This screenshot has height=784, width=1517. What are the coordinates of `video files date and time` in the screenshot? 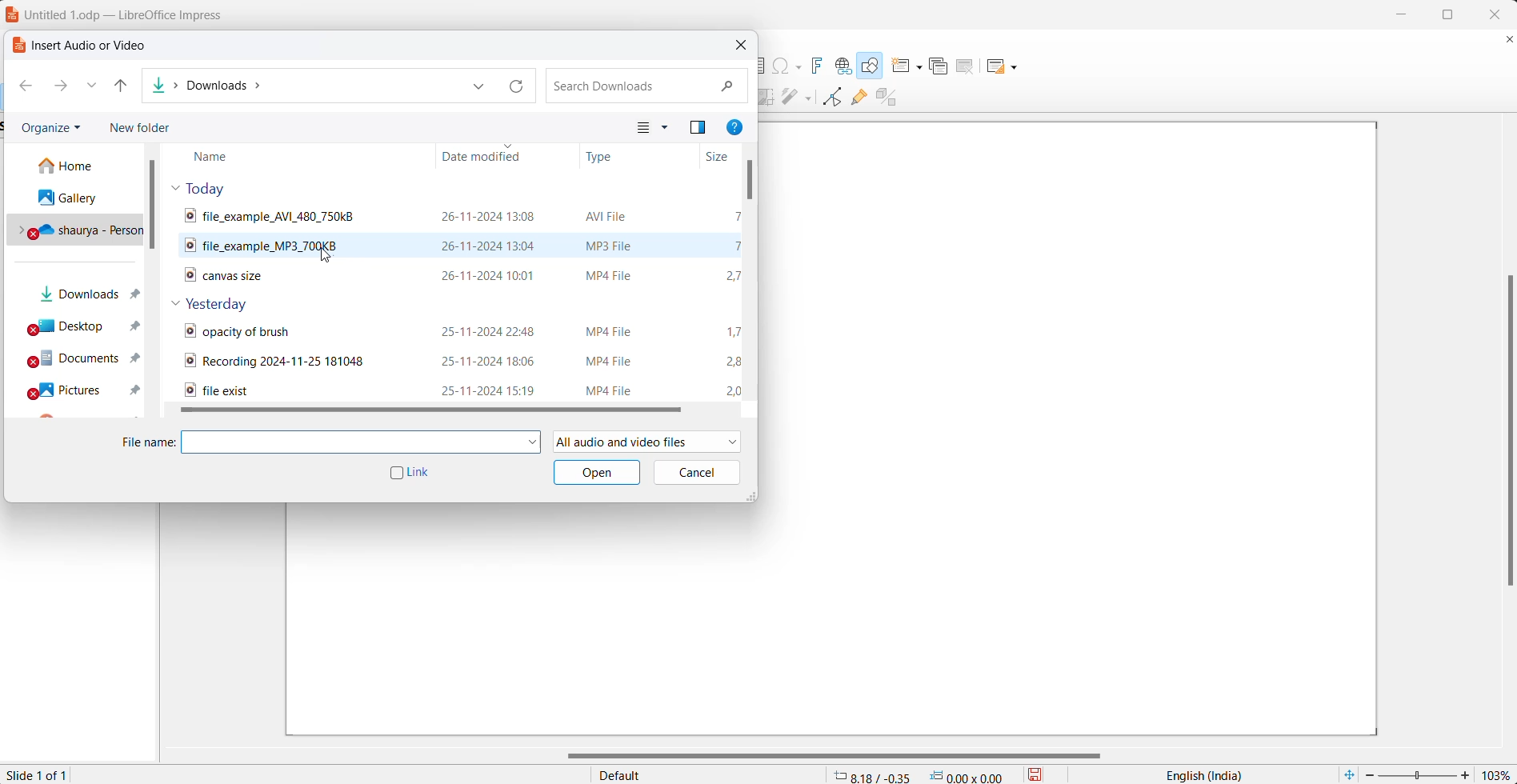 It's located at (490, 359).